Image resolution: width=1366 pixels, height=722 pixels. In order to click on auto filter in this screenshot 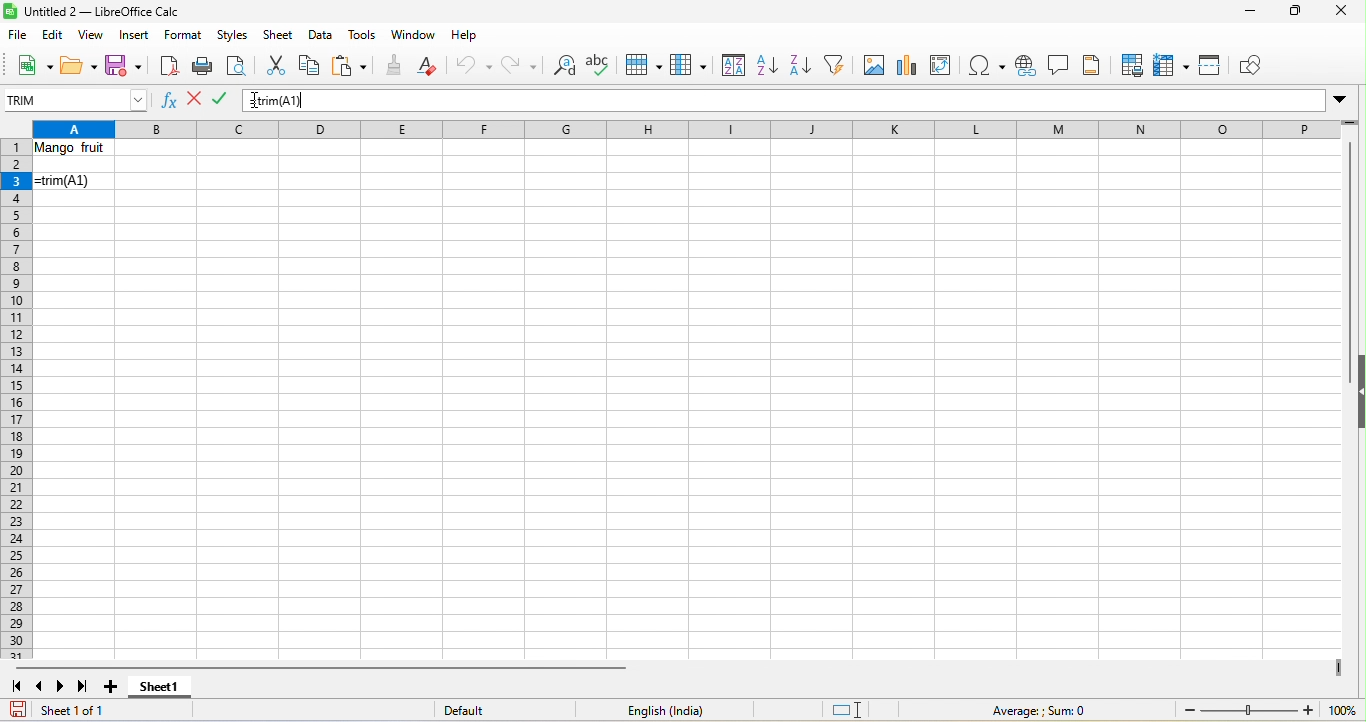, I will do `click(837, 67)`.